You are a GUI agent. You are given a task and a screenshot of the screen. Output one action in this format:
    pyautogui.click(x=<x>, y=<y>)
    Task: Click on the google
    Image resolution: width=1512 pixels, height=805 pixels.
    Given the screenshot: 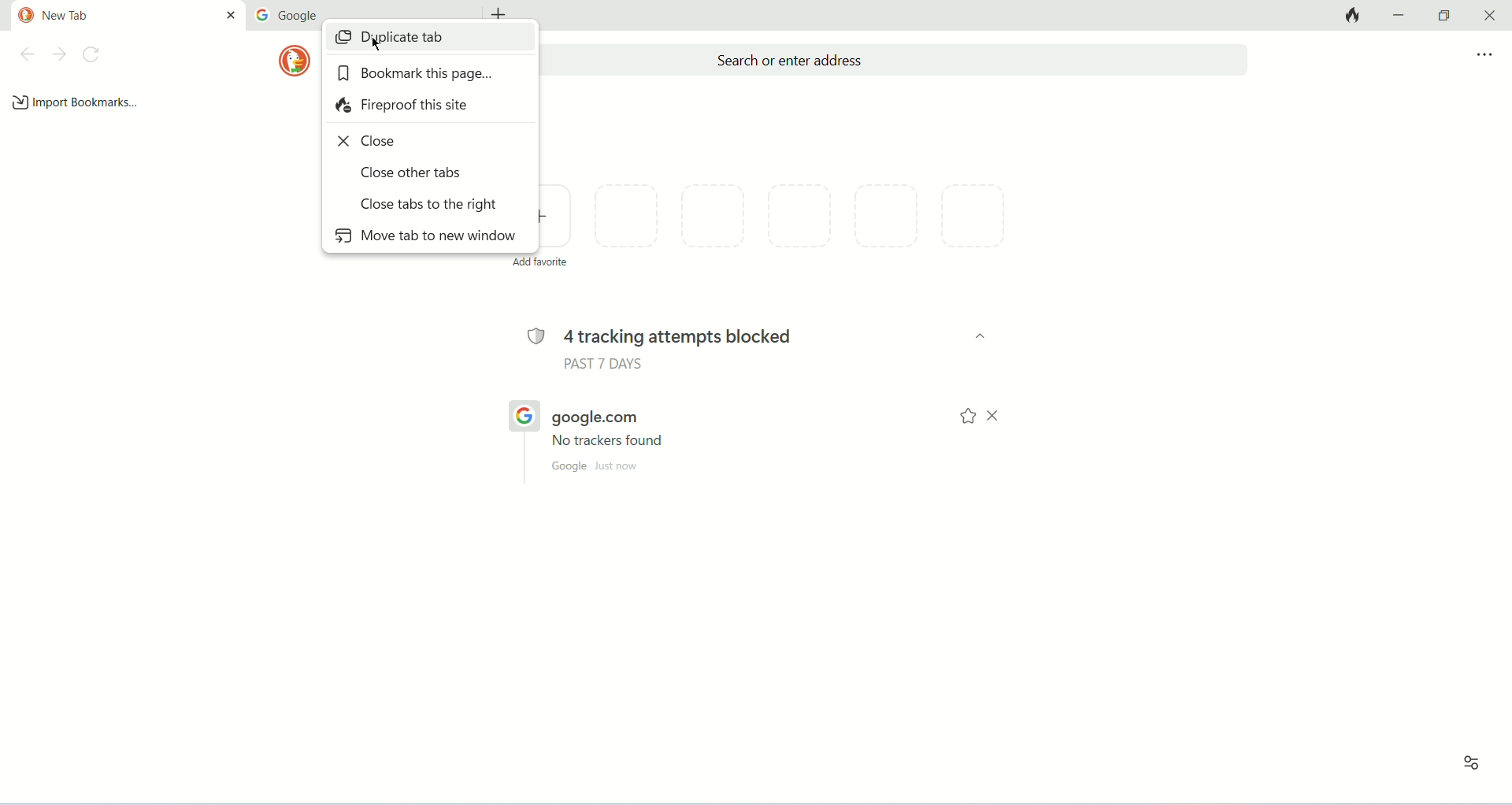 What is the action you would take?
    pyautogui.click(x=569, y=467)
    